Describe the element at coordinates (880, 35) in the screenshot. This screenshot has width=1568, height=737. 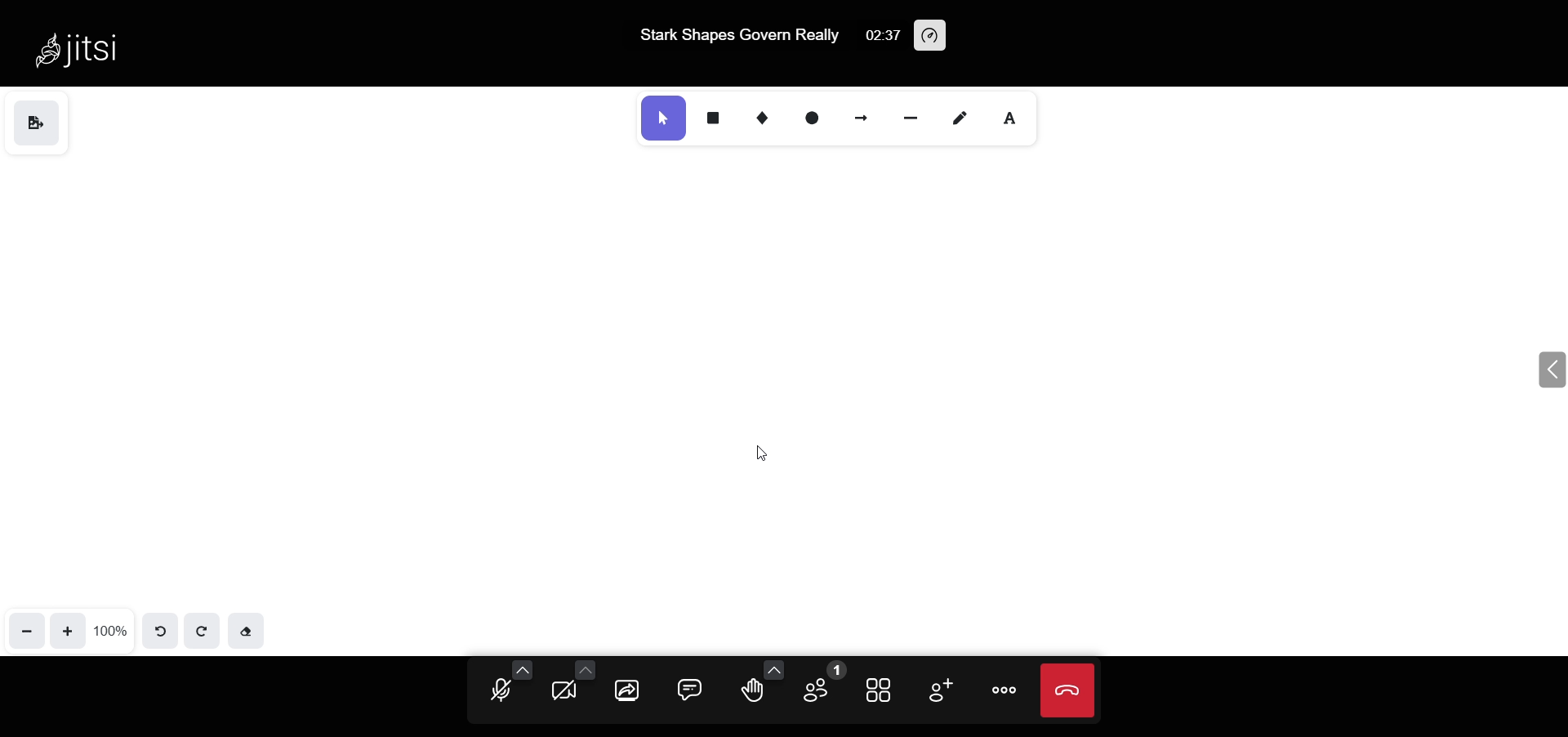
I see `02:37` at that location.